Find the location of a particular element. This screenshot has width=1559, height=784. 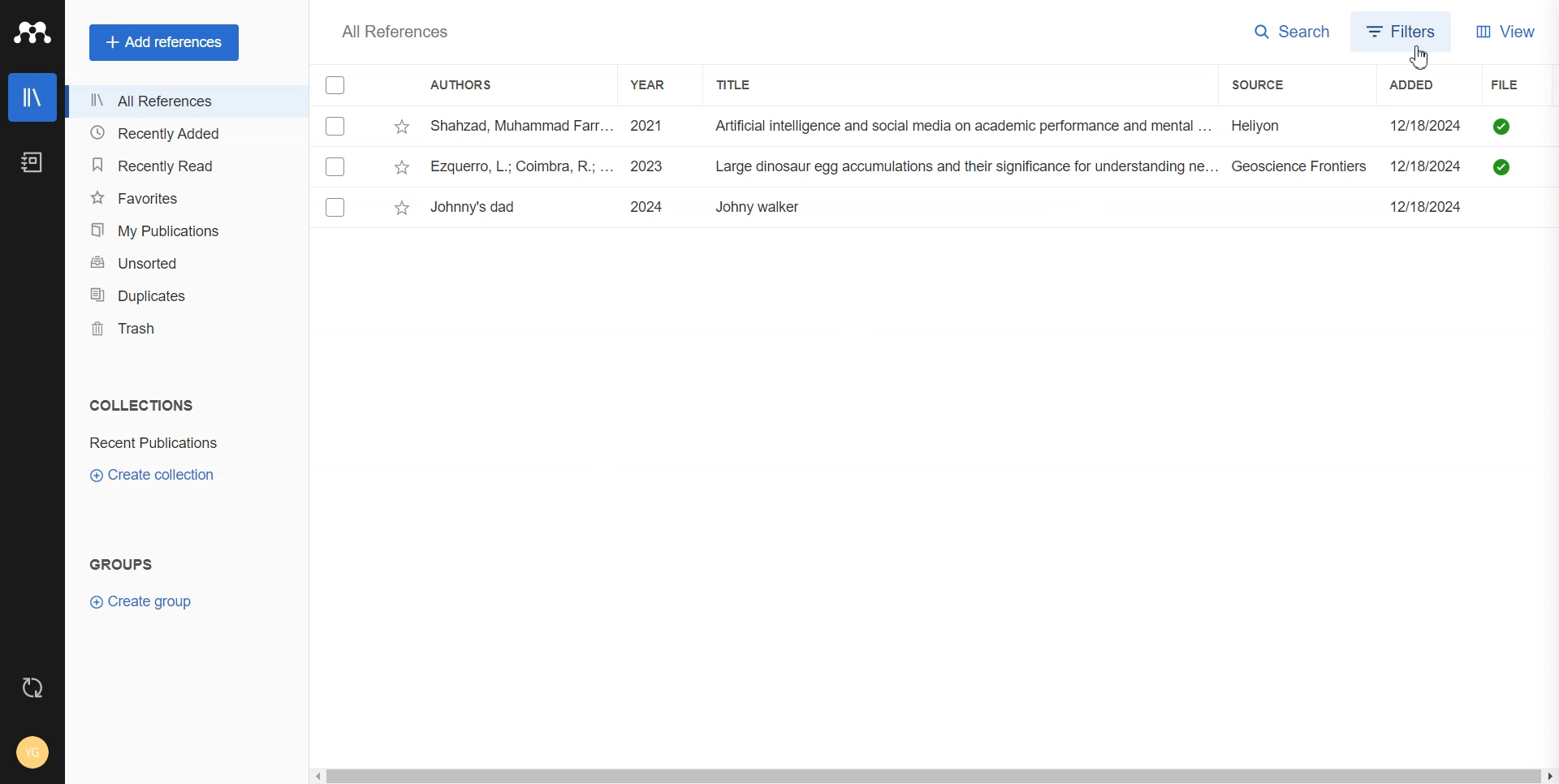

select entry is located at coordinates (335, 127).